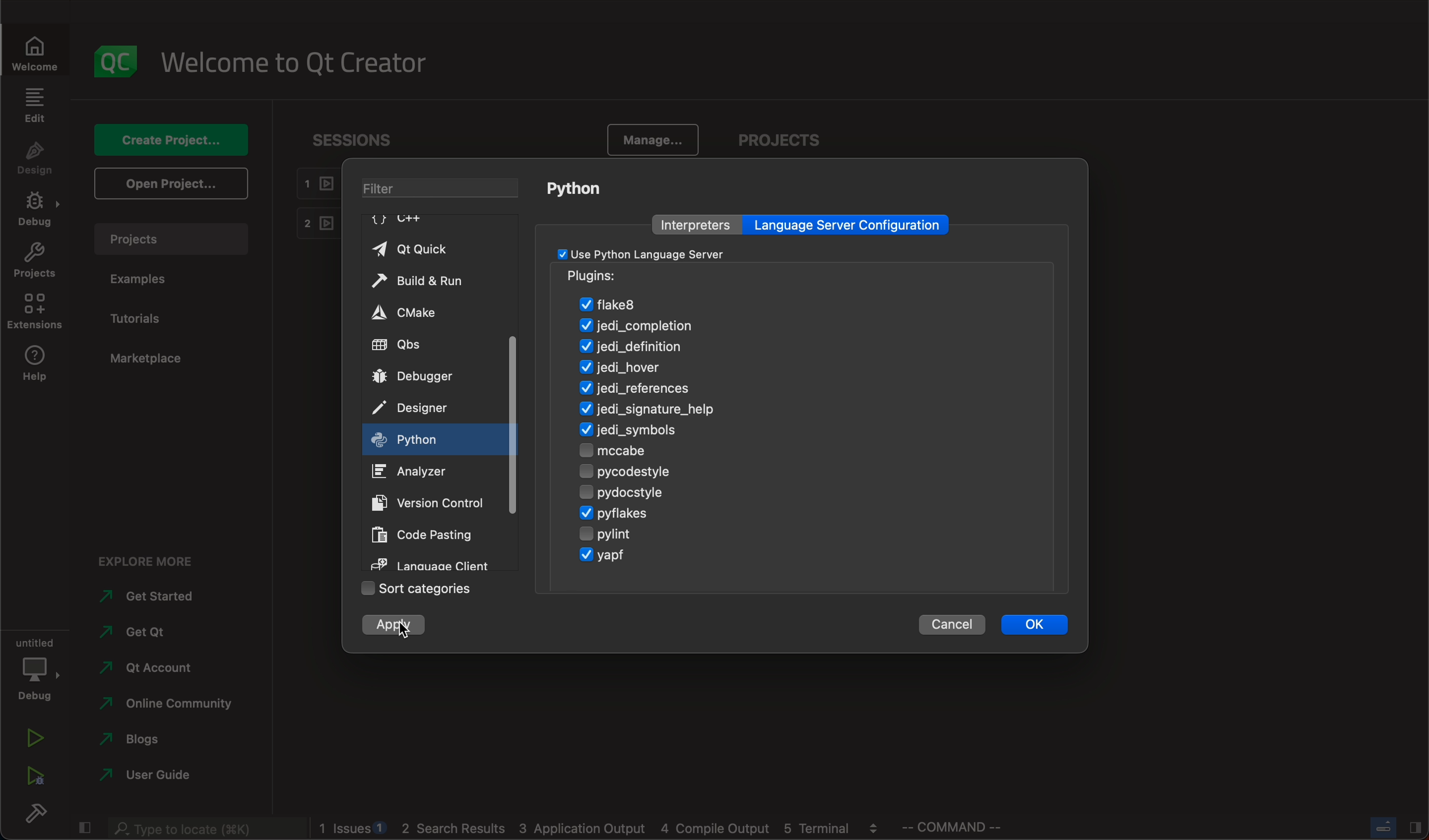  What do you see at coordinates (616, 305) in the screenshot?
I see `flake8 enabled` at bounding box center [616, 305].